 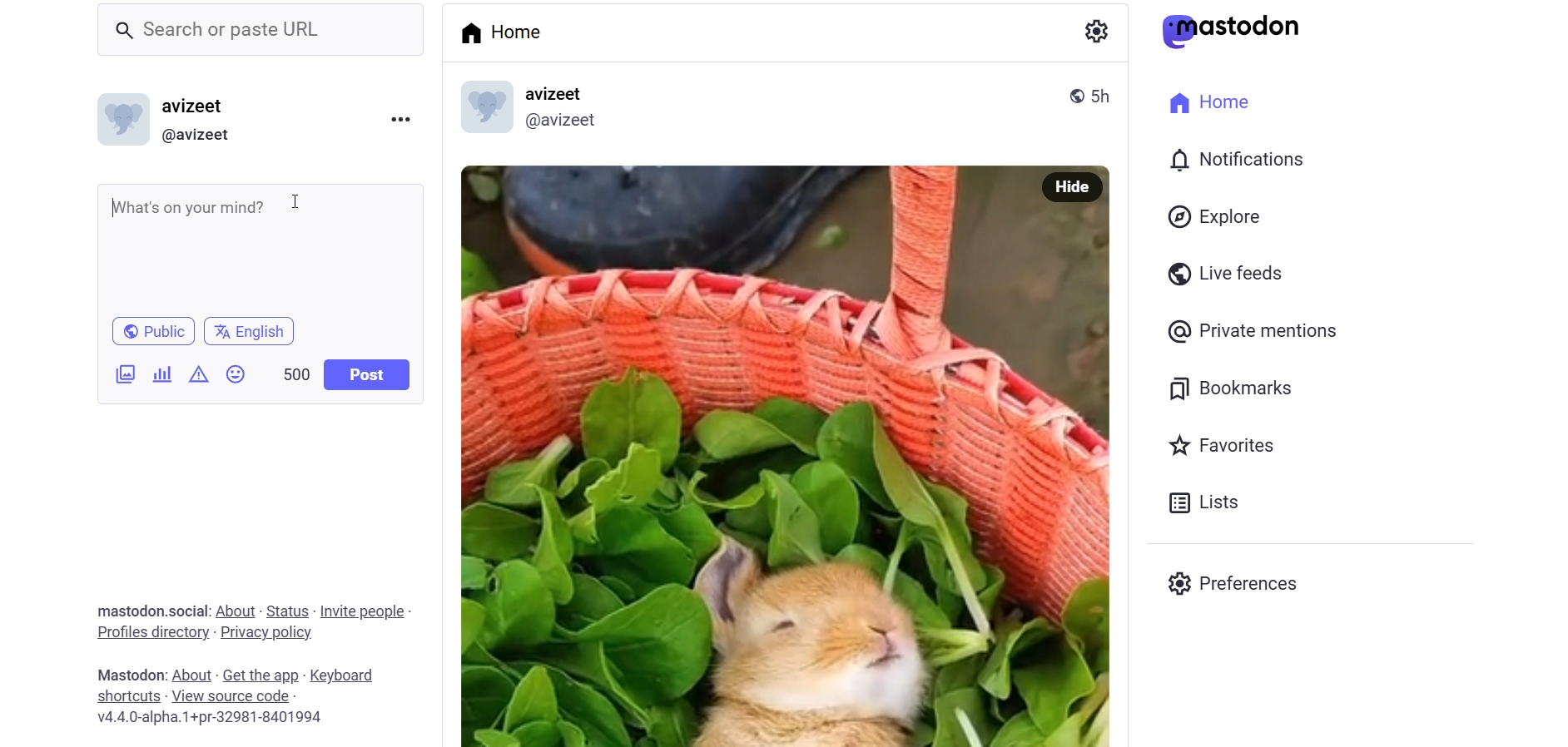 What do you see at coordinates (188, 611) in the screenshot?
I see `social` at bounding box center [188, 611].